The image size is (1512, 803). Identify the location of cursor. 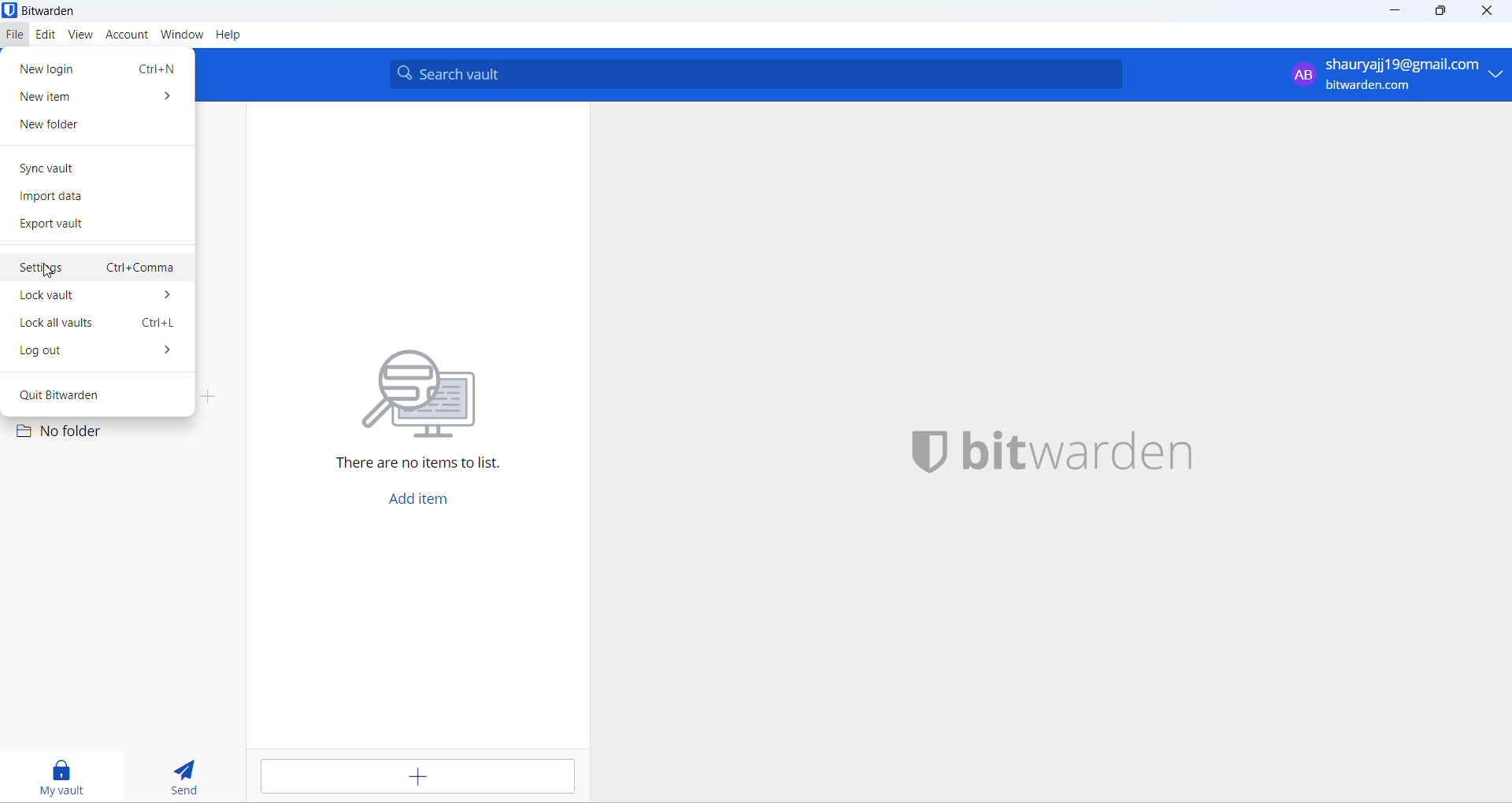
(46, 271).